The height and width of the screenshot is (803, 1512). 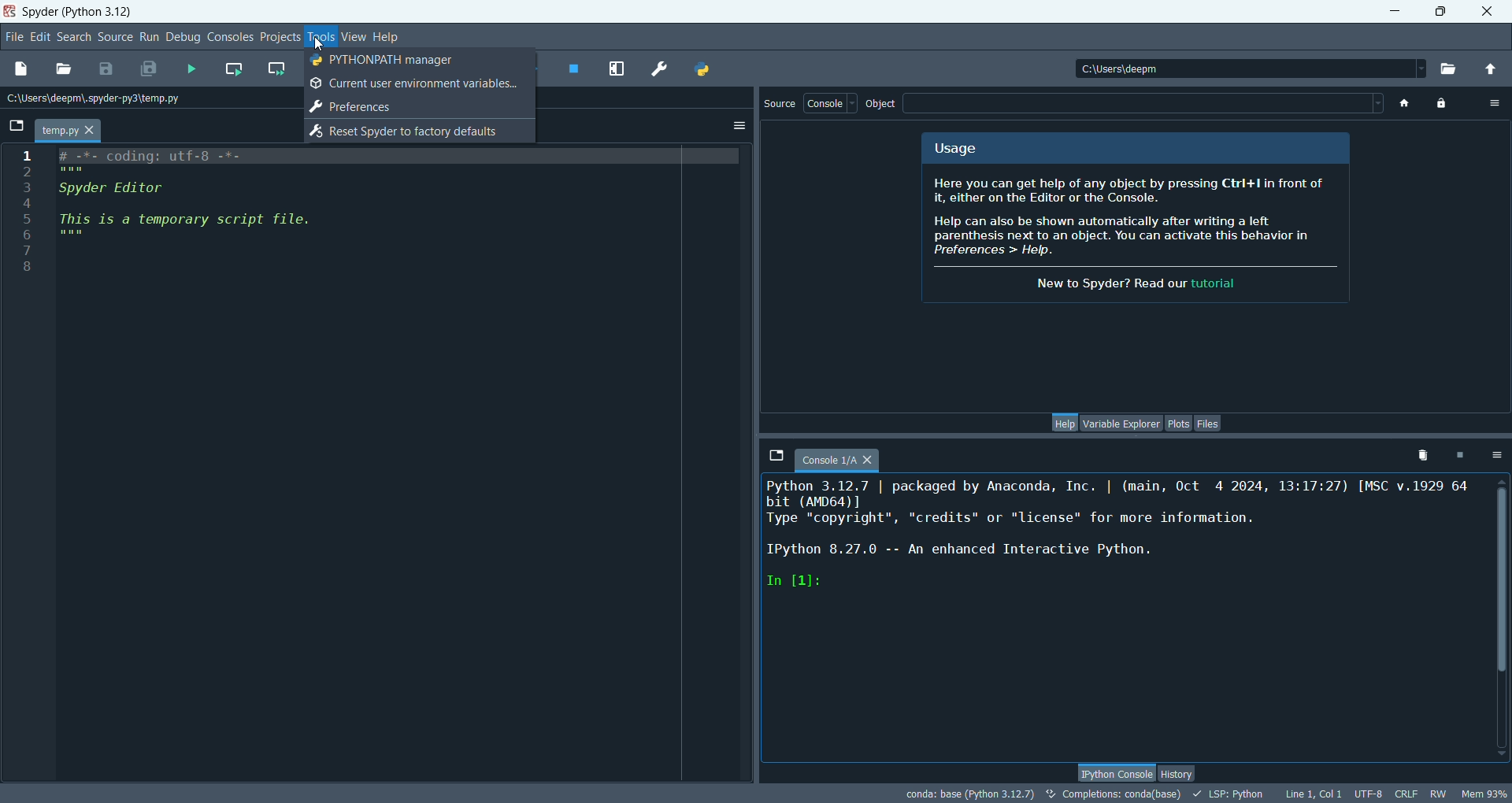 What do you see at coordinates (1496, 455) in the screenshot?
I see `options` at bounding box center [1496, 455].